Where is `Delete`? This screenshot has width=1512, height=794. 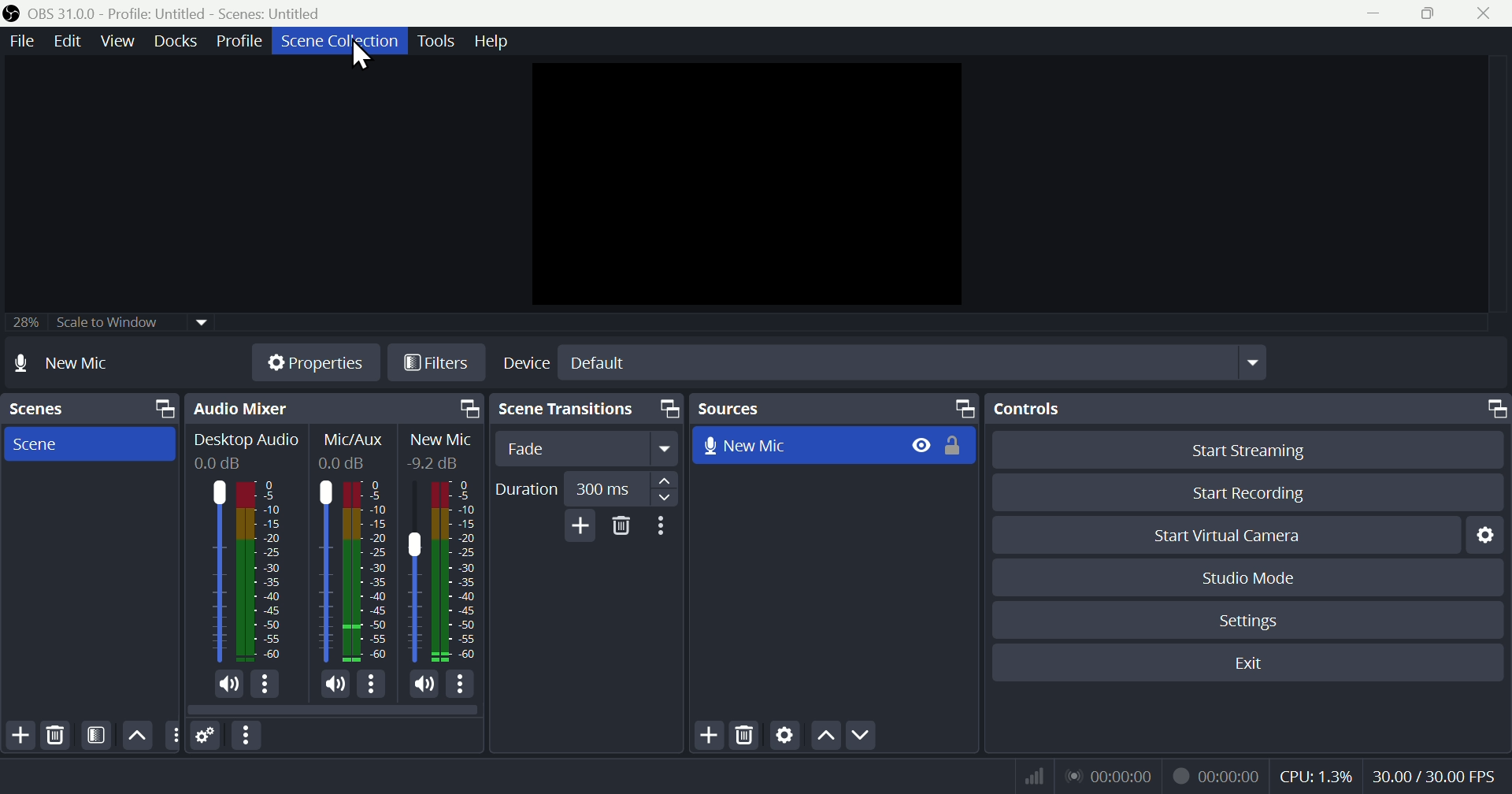
Delete is located at coordinates (621, 529).